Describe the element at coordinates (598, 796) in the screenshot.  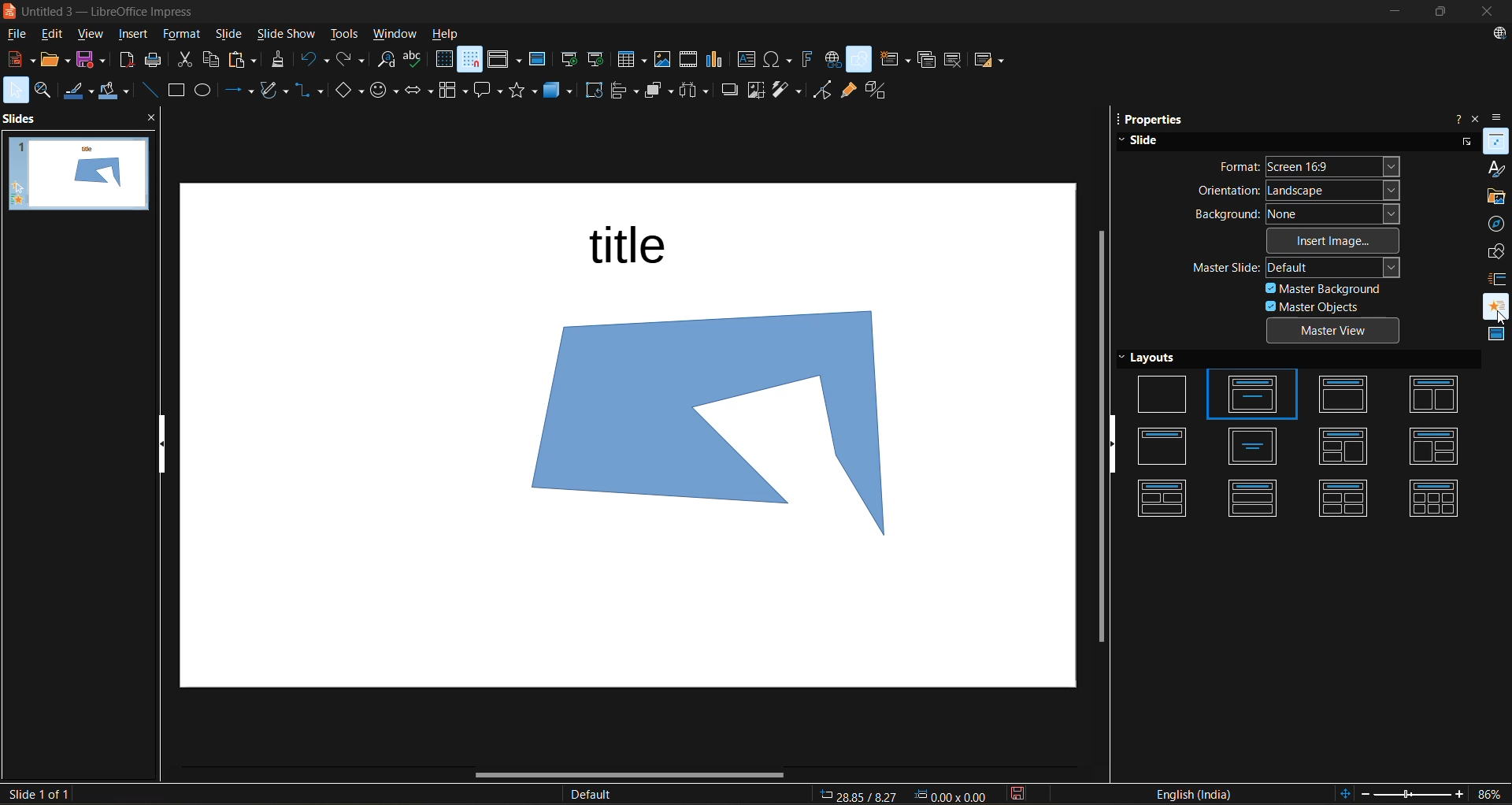
I see `slide master name` at that location.